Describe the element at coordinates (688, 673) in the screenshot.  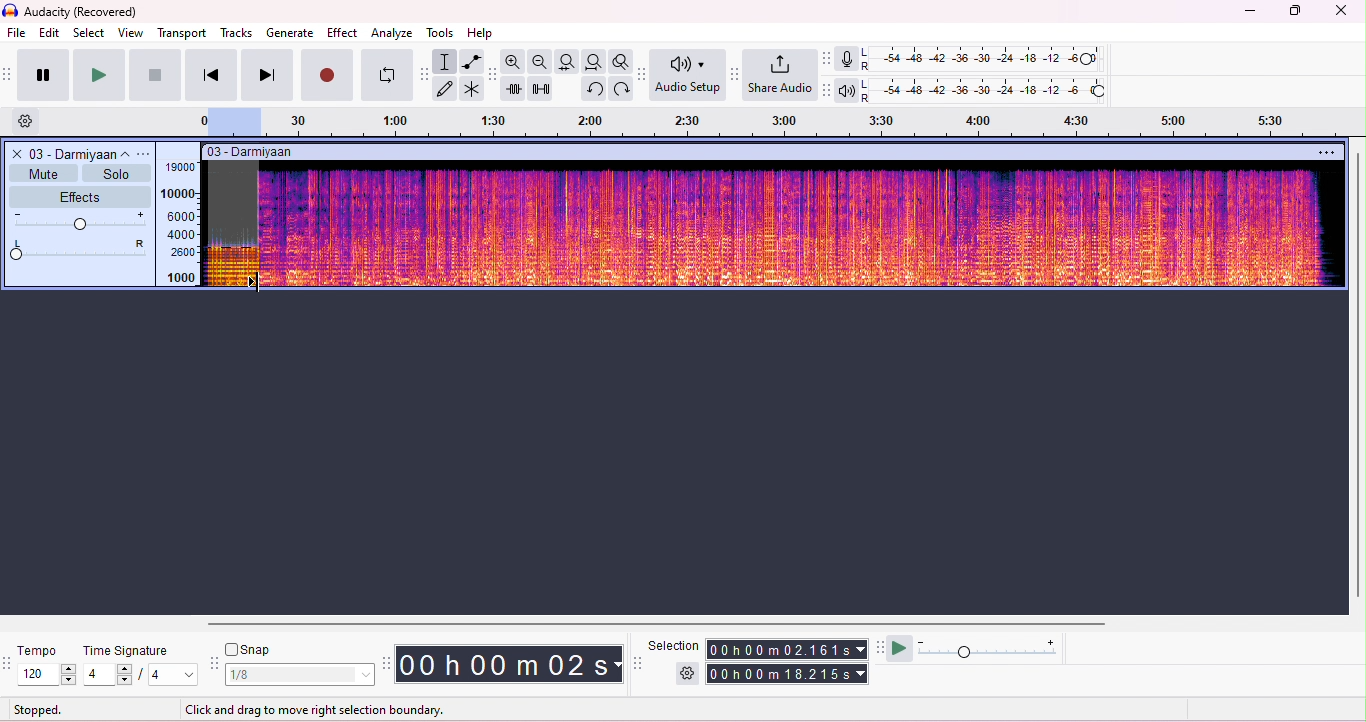
I see `selection settings` at that location.